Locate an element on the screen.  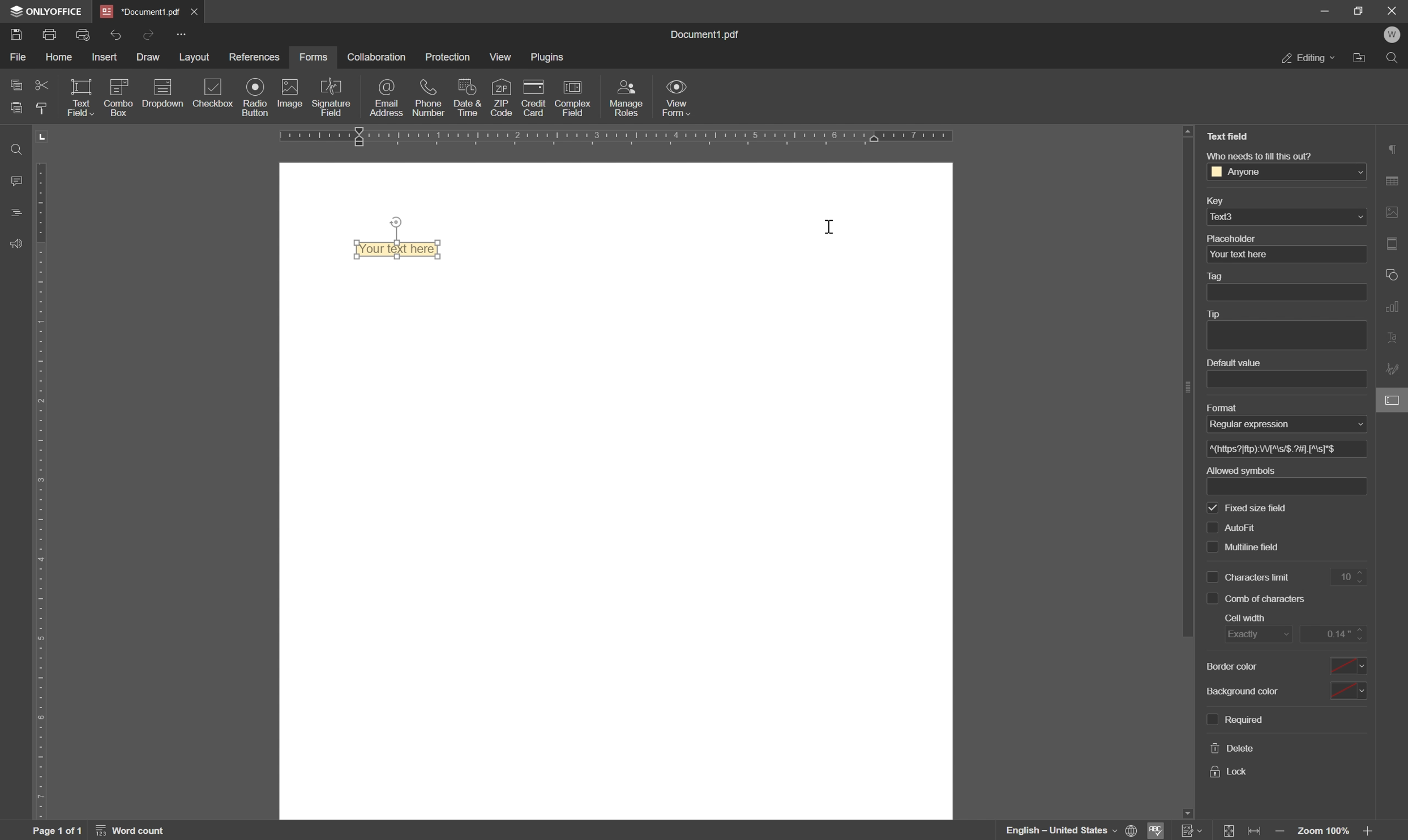
0.14 is located at coordinates (1335, 633).